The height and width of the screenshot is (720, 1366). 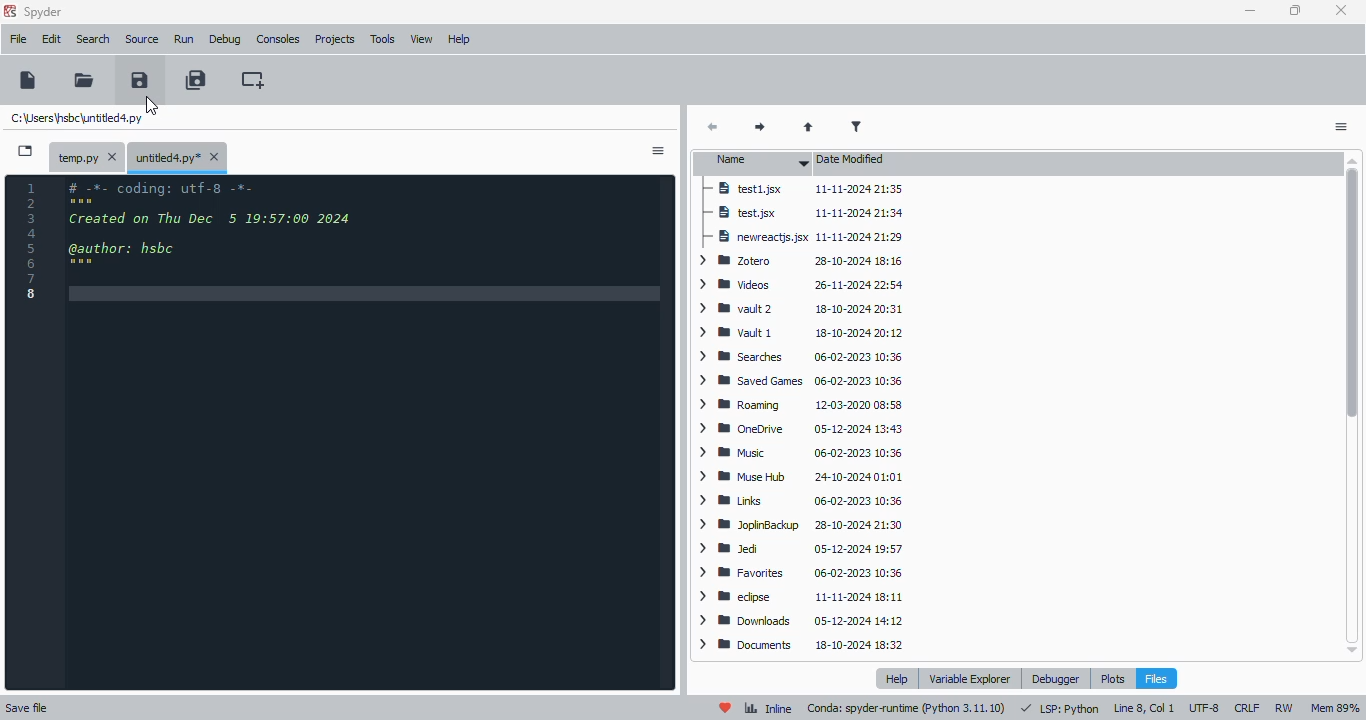 I want to click on files, so click(x=1155, y=678).